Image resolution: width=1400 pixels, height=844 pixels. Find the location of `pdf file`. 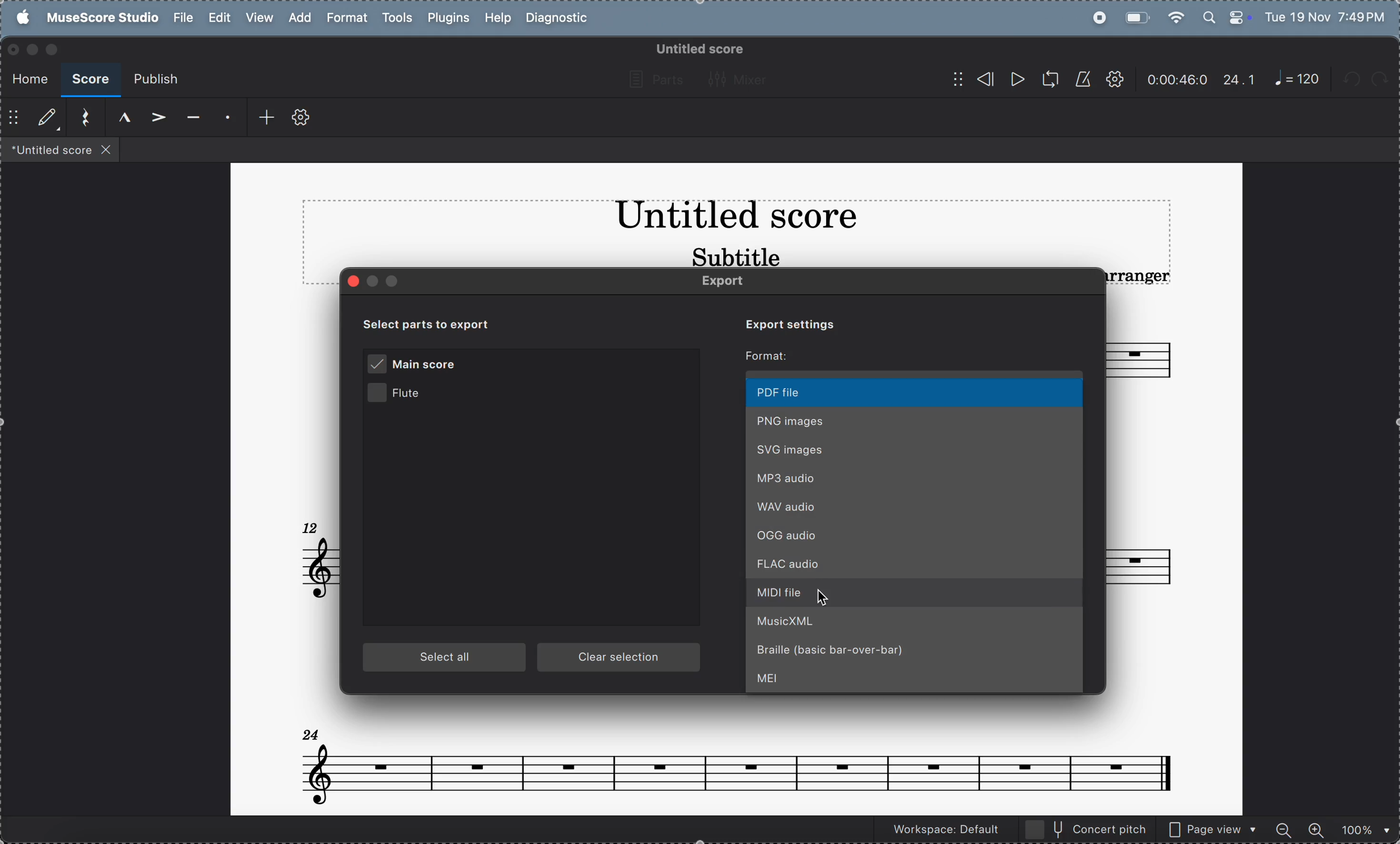

pdf file is located at coordinates (915, 392).